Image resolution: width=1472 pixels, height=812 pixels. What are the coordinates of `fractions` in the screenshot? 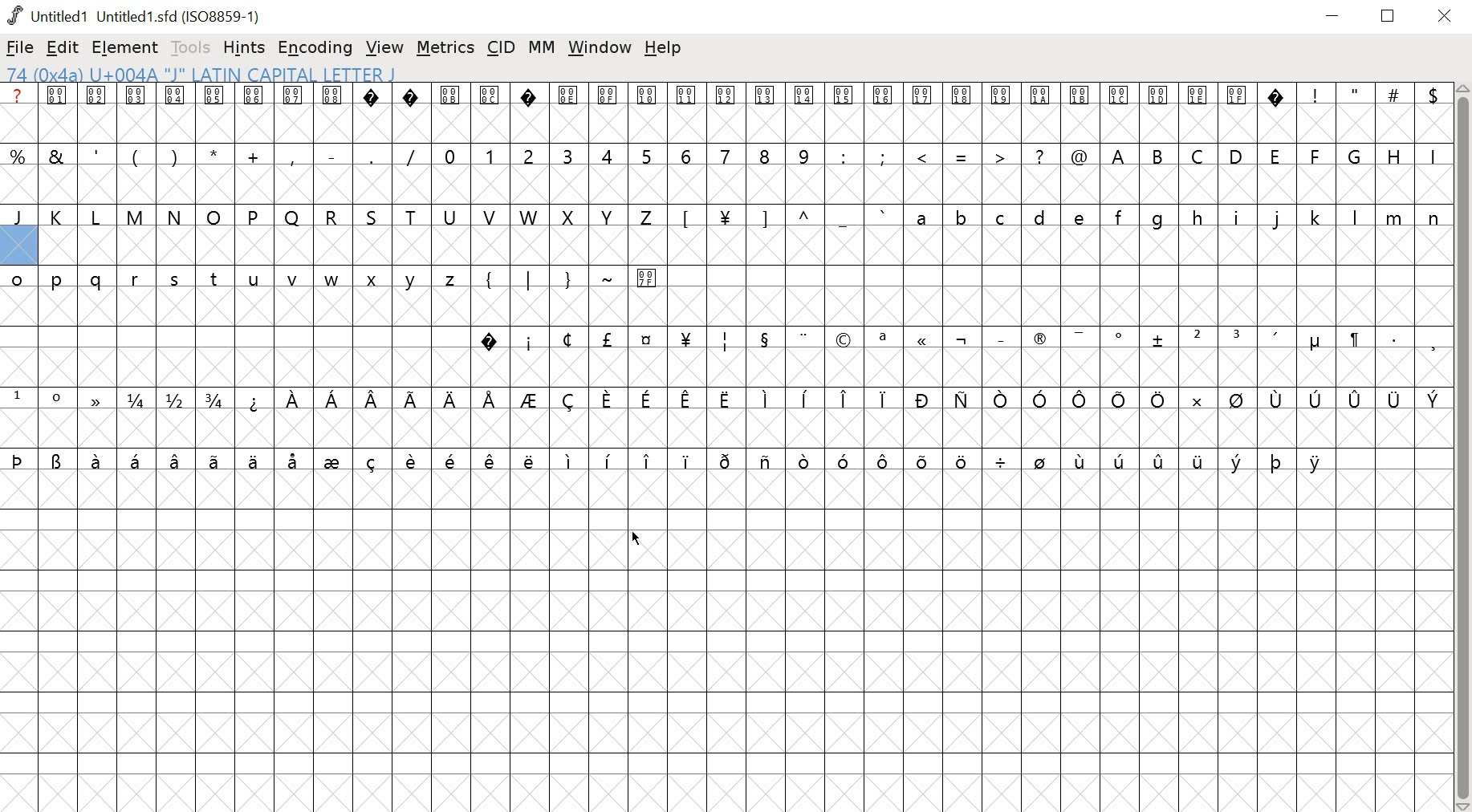 It's located at (168, 399).